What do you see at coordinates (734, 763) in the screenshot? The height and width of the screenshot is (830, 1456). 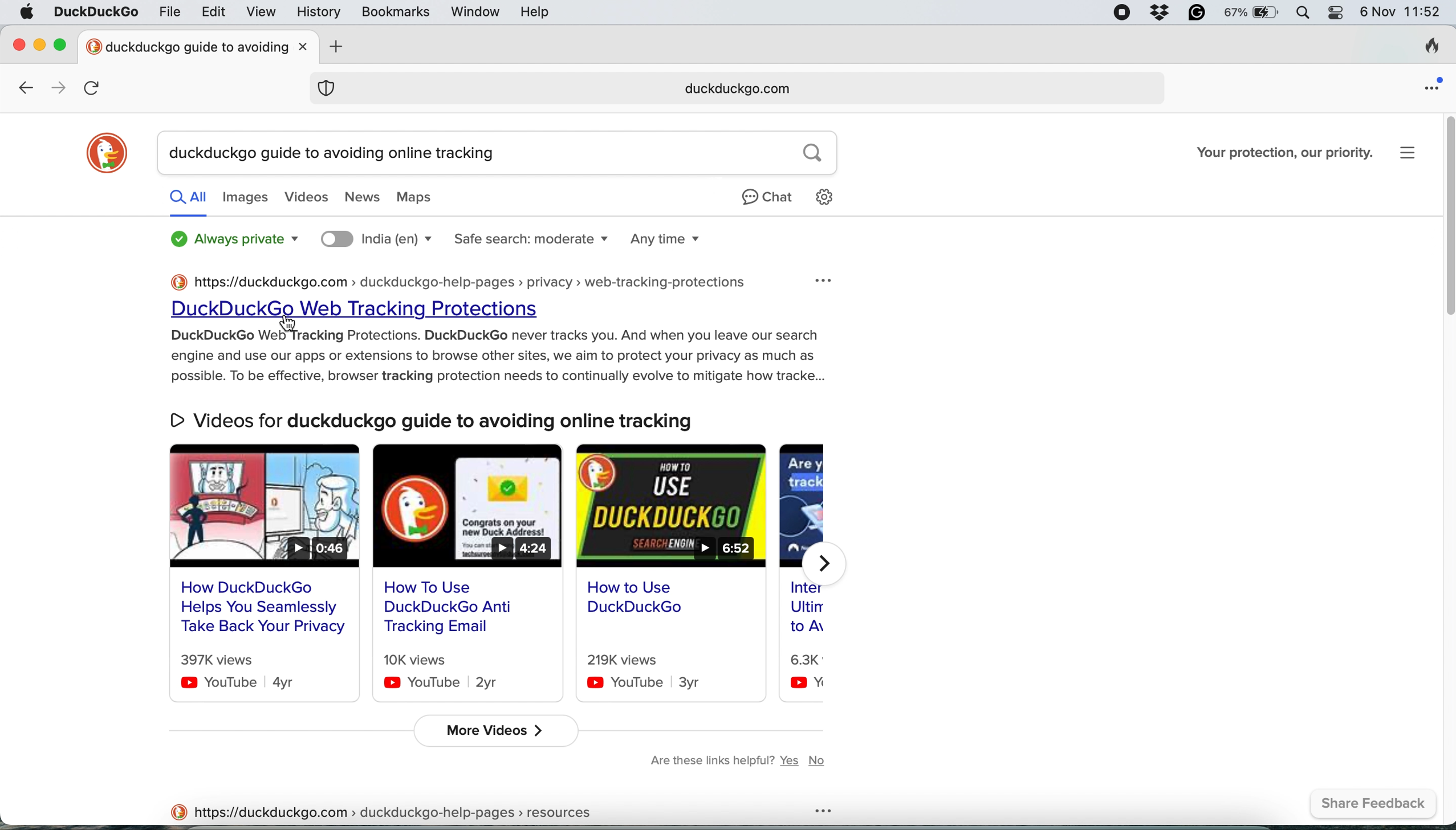 I see `are these links helpful` at bounding box center [734, 763].